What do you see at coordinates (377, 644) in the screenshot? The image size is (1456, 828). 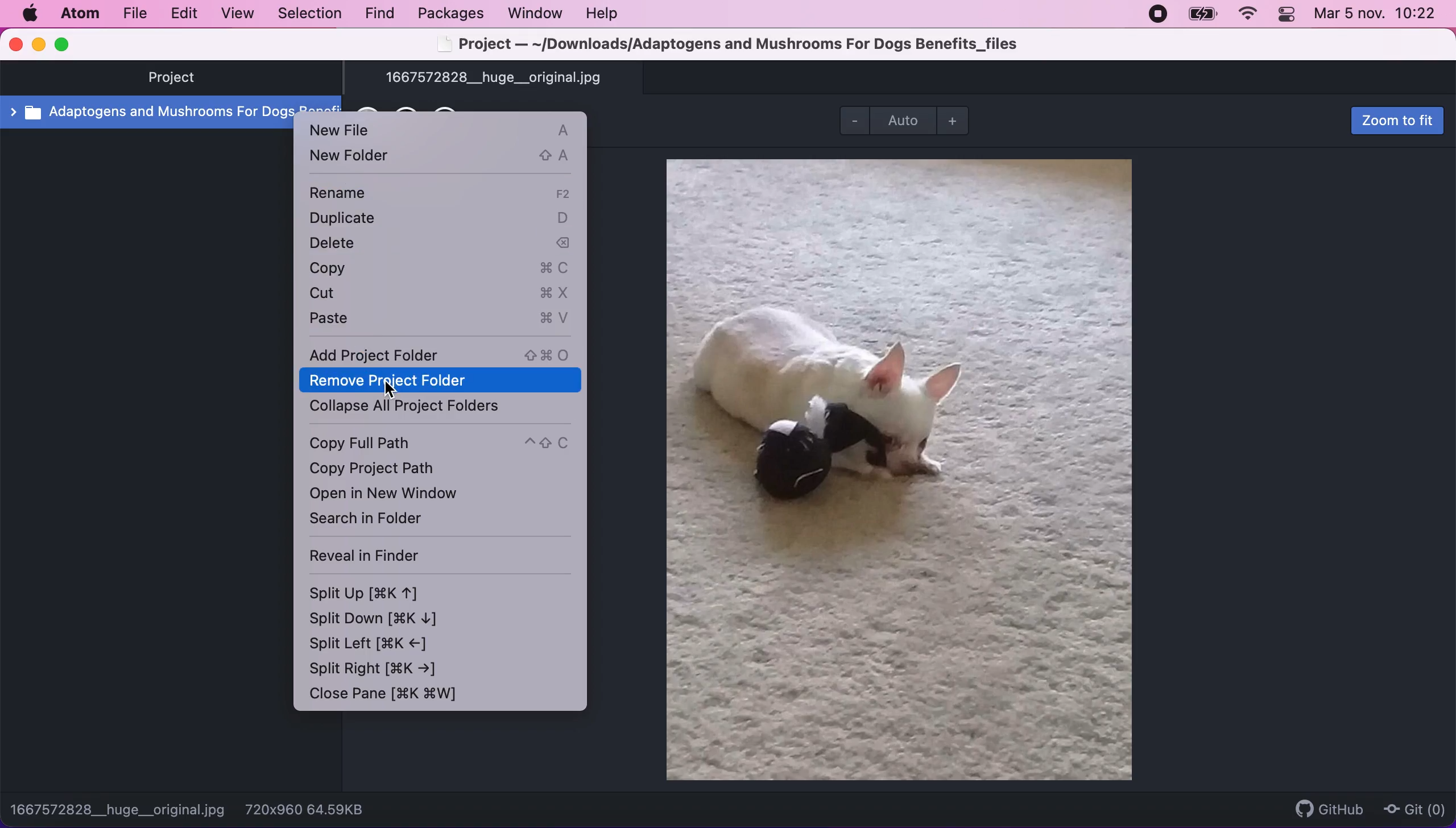 I see `split left` at bounding box center [377, 644].